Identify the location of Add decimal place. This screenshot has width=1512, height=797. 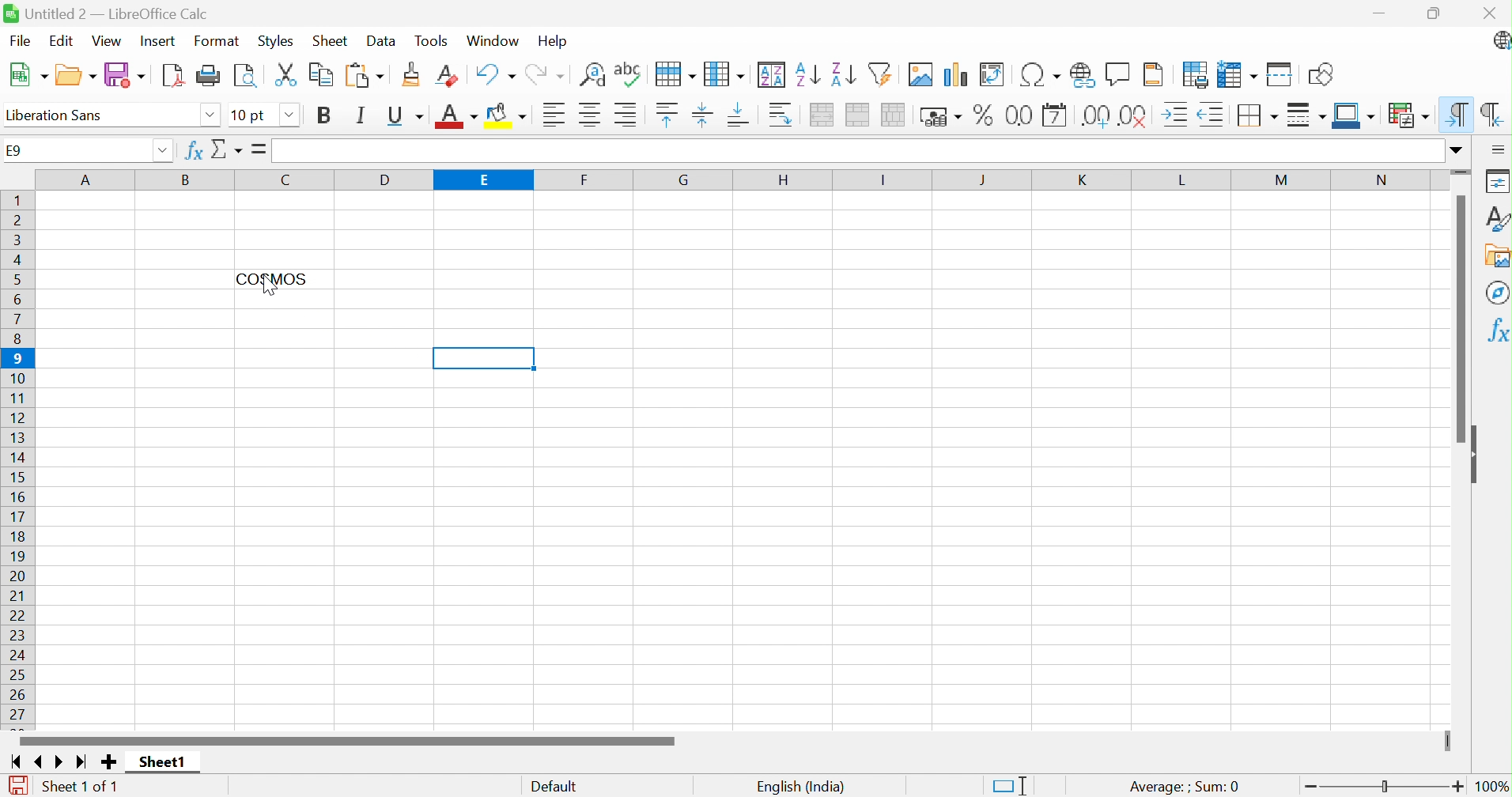
(1095, 115).